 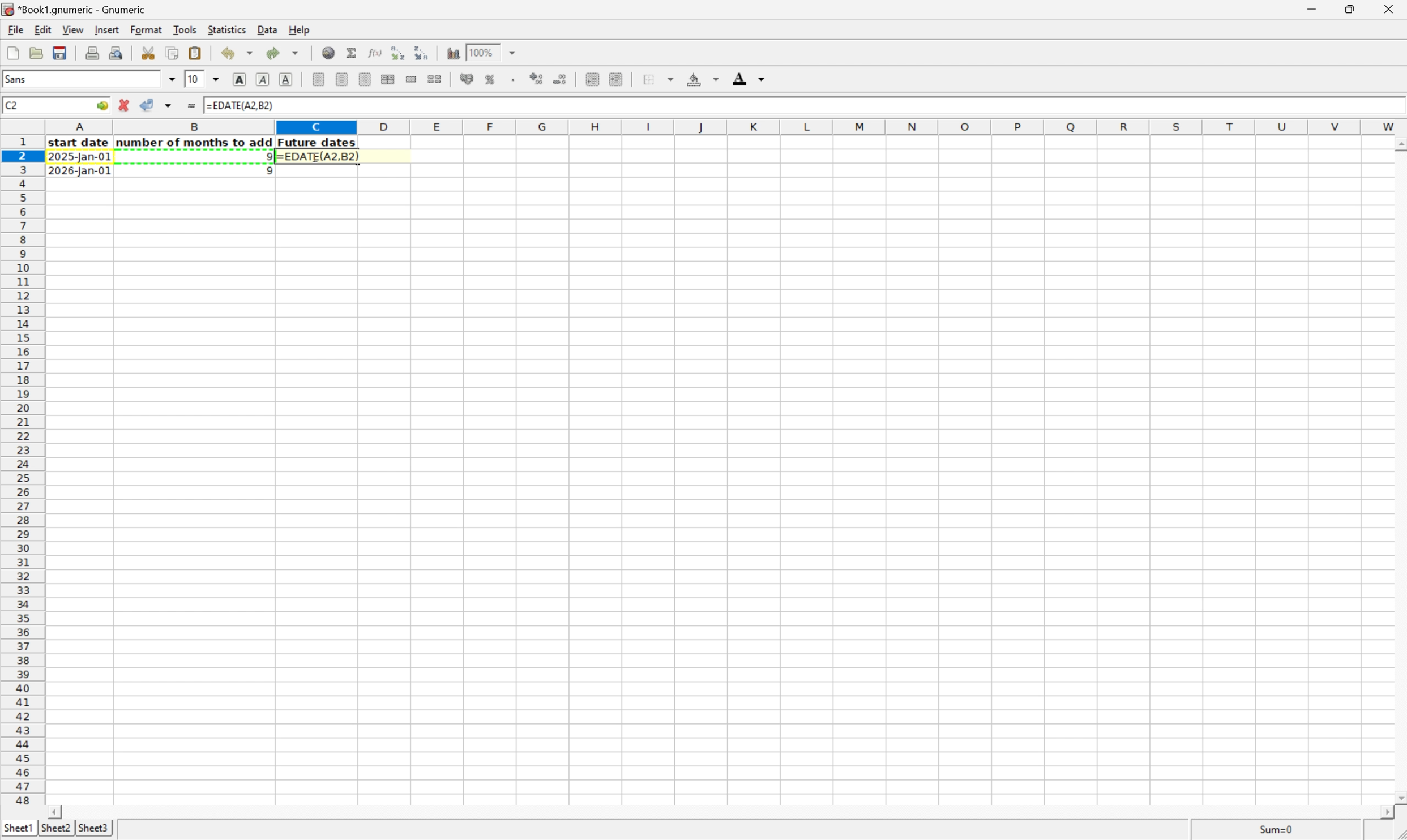 What do you see at coordinates (43, 29) in the screenshot?
I see `Edit` at bounding box center [43, 29].